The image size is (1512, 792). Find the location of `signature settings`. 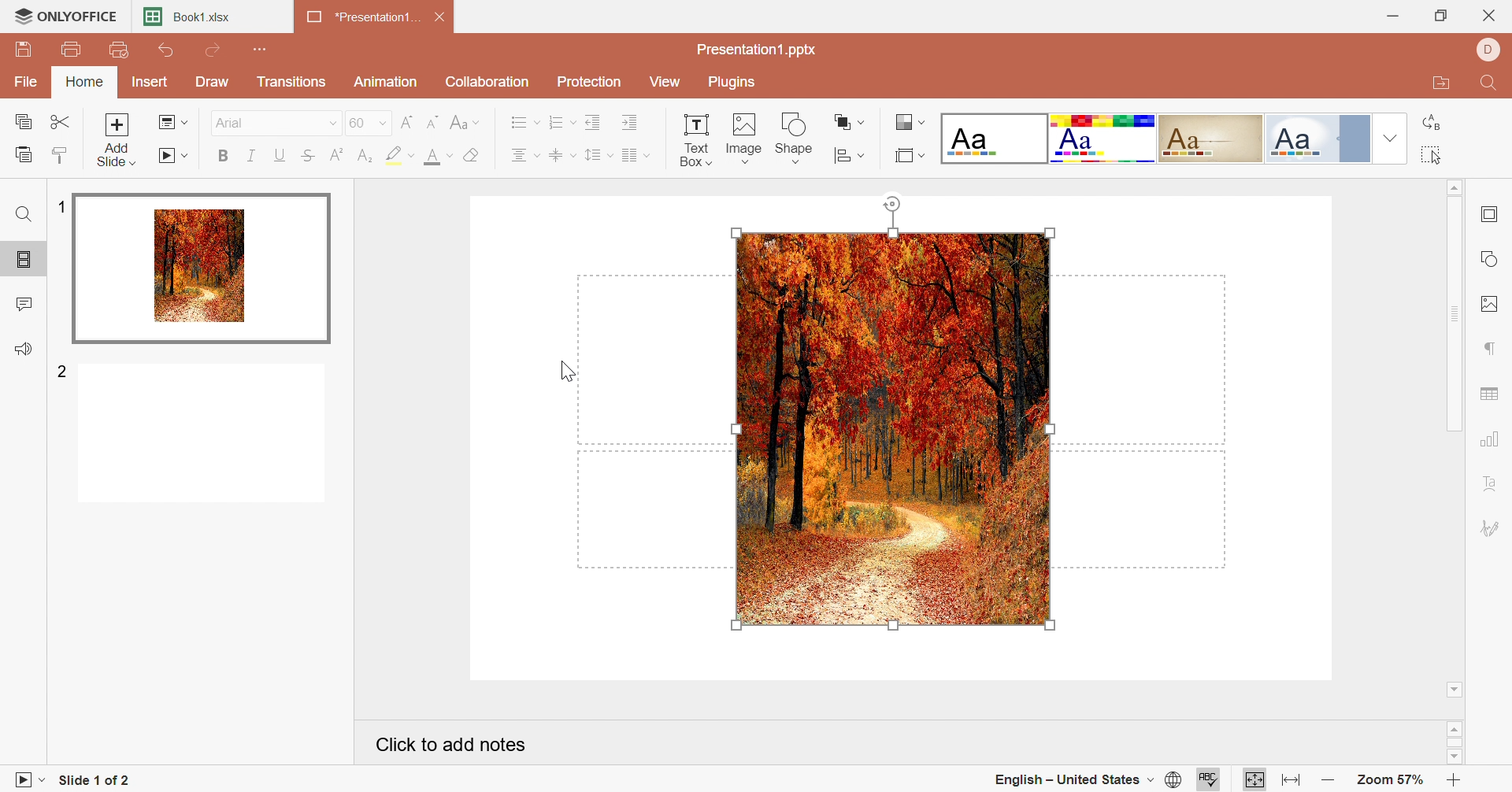

signature settings is located at coordinates (1495, 529).